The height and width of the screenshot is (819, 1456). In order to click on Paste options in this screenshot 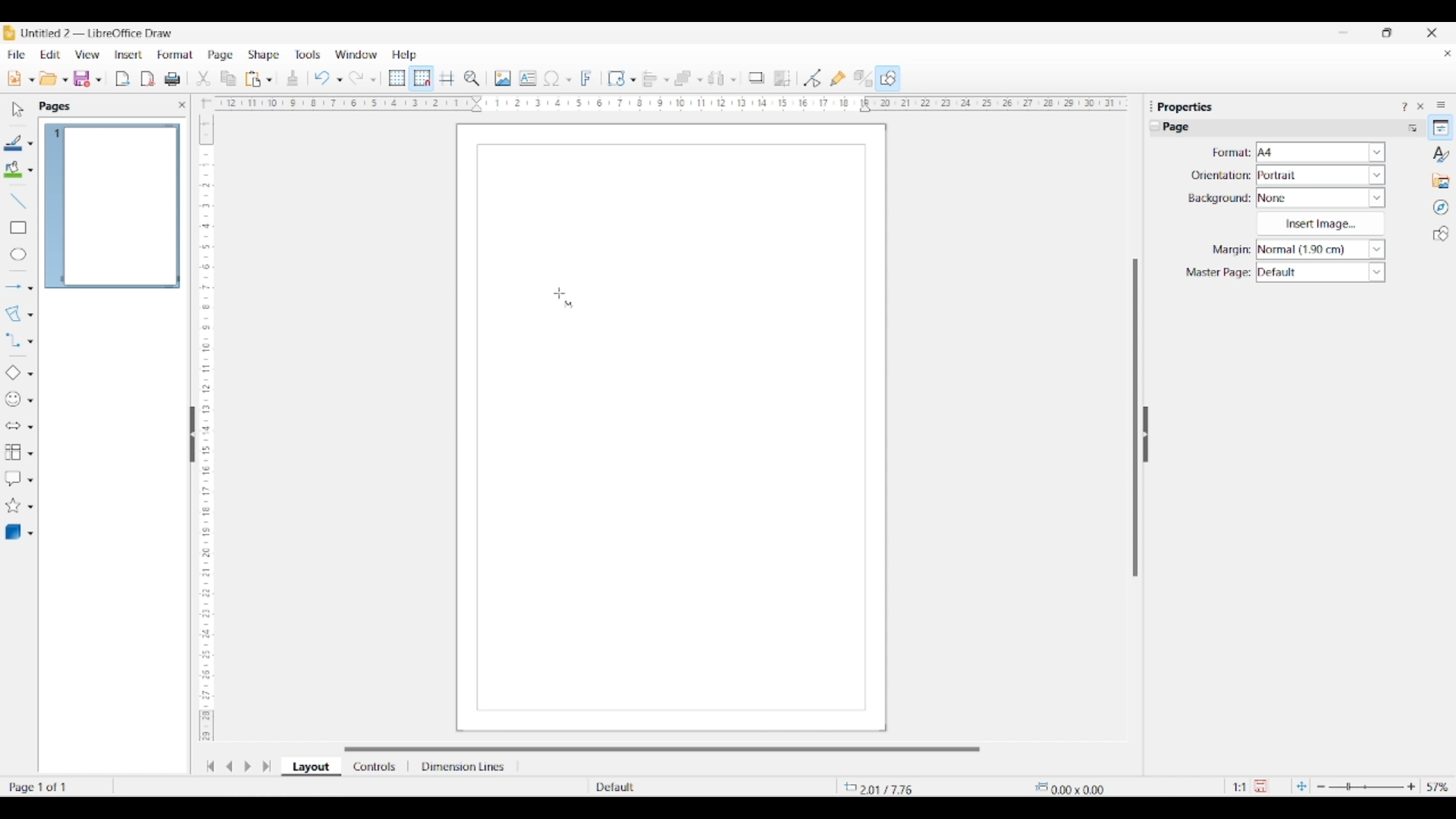, I will do `click(269, 80)`.